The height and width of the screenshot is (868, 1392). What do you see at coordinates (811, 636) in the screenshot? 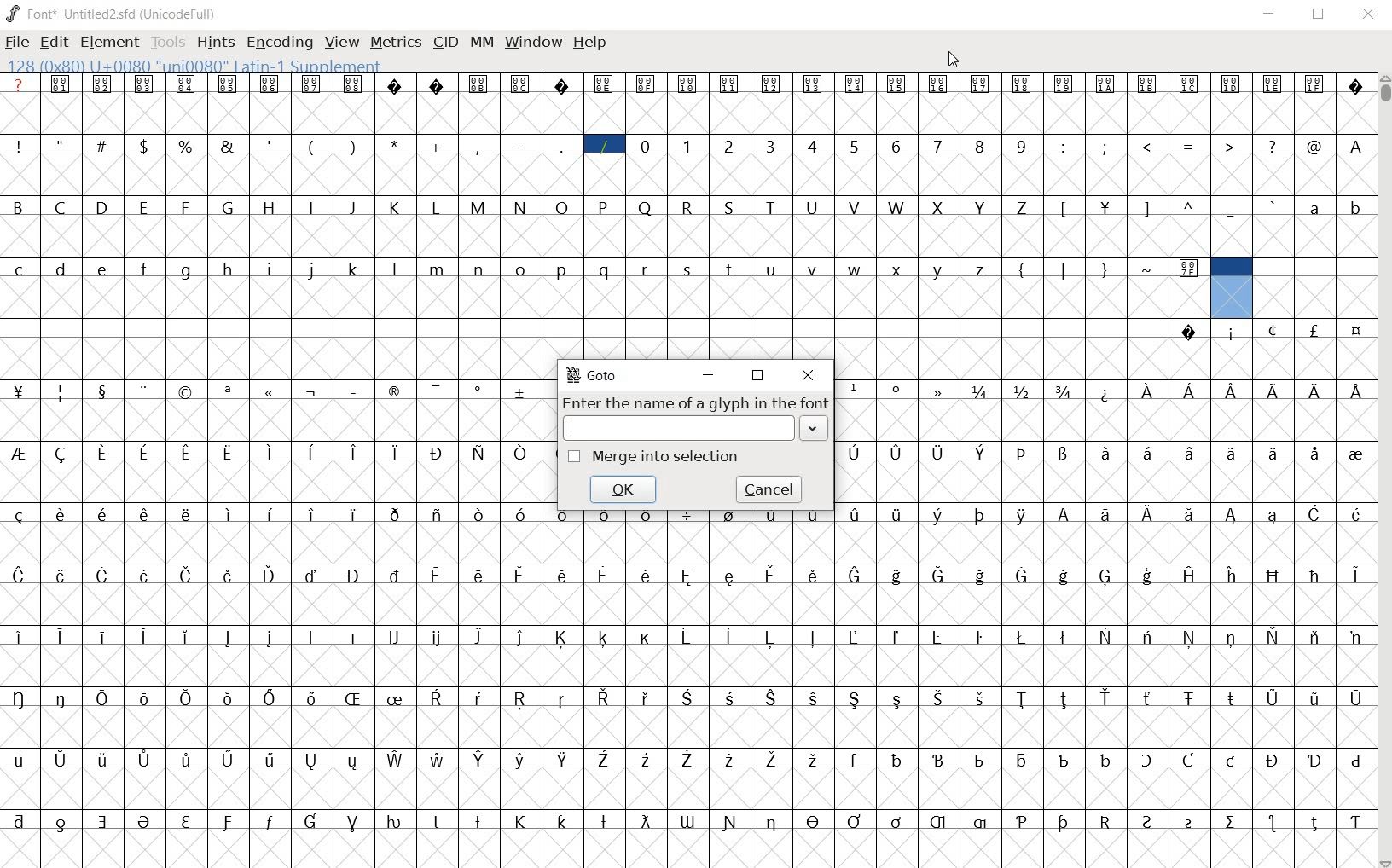
I see `Symbol` at bounding box center [811, 636].